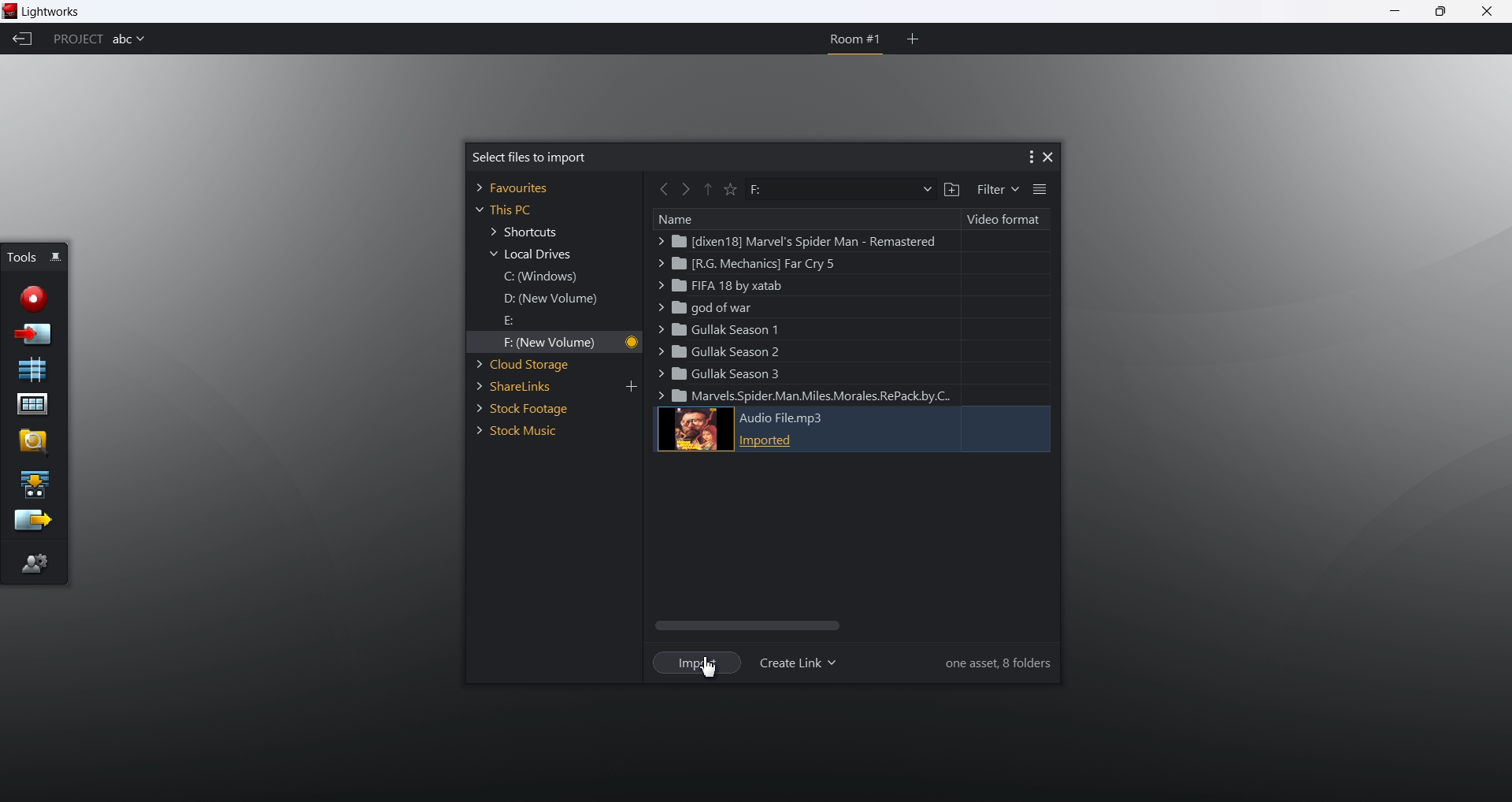 The height and width of the screenshot is (802, 1512). What do you see at coordinates (35, 333) in the screenshot?
I see `import` at bounding box center [35, 333].